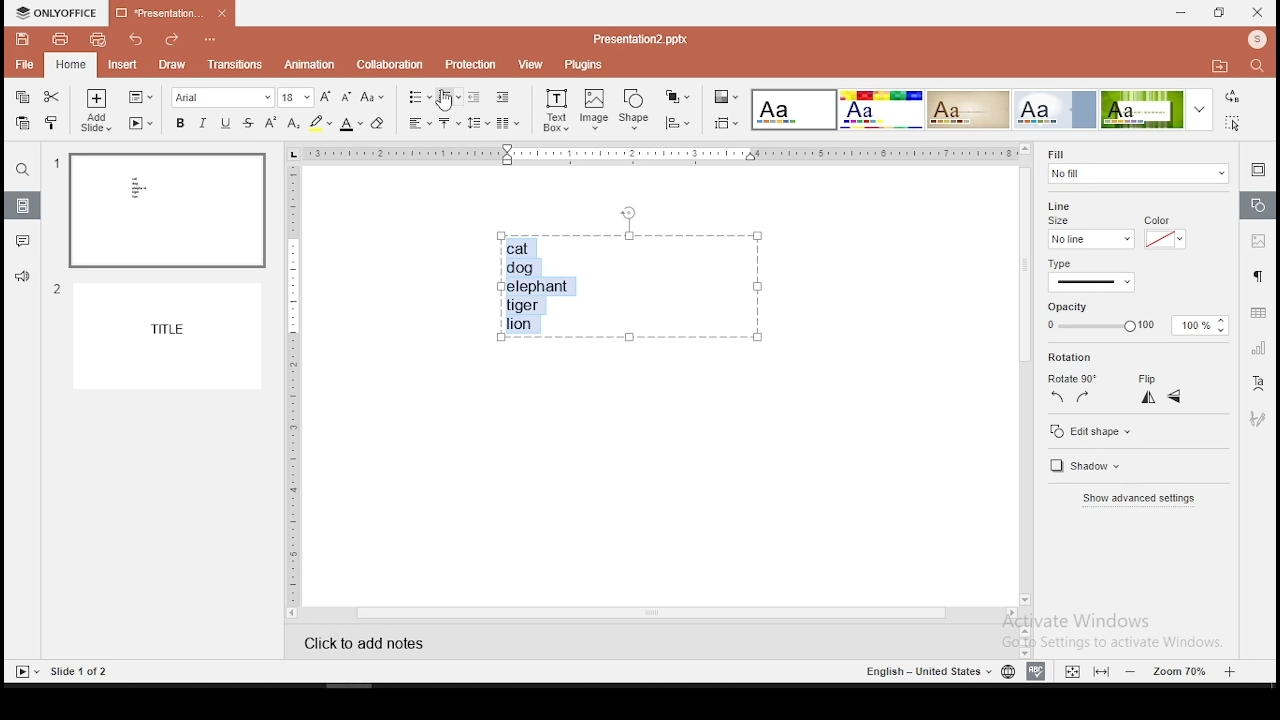  What do you see at coordinates (504, 98) in the screenshot?
I see `increase indent` at bounding box center [504, 98].